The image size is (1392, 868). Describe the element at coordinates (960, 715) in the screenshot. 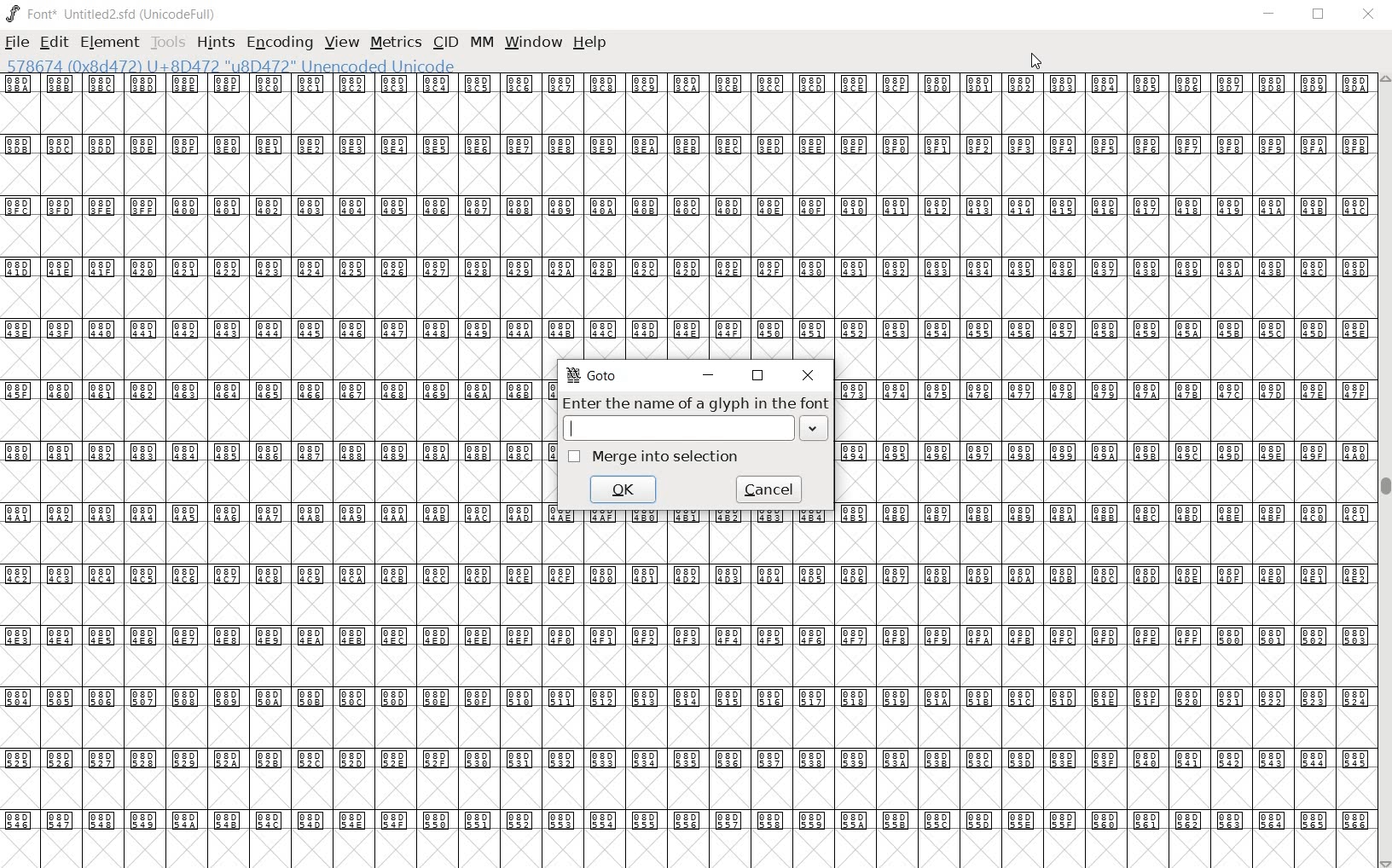

I see `glyph characters` at that location.